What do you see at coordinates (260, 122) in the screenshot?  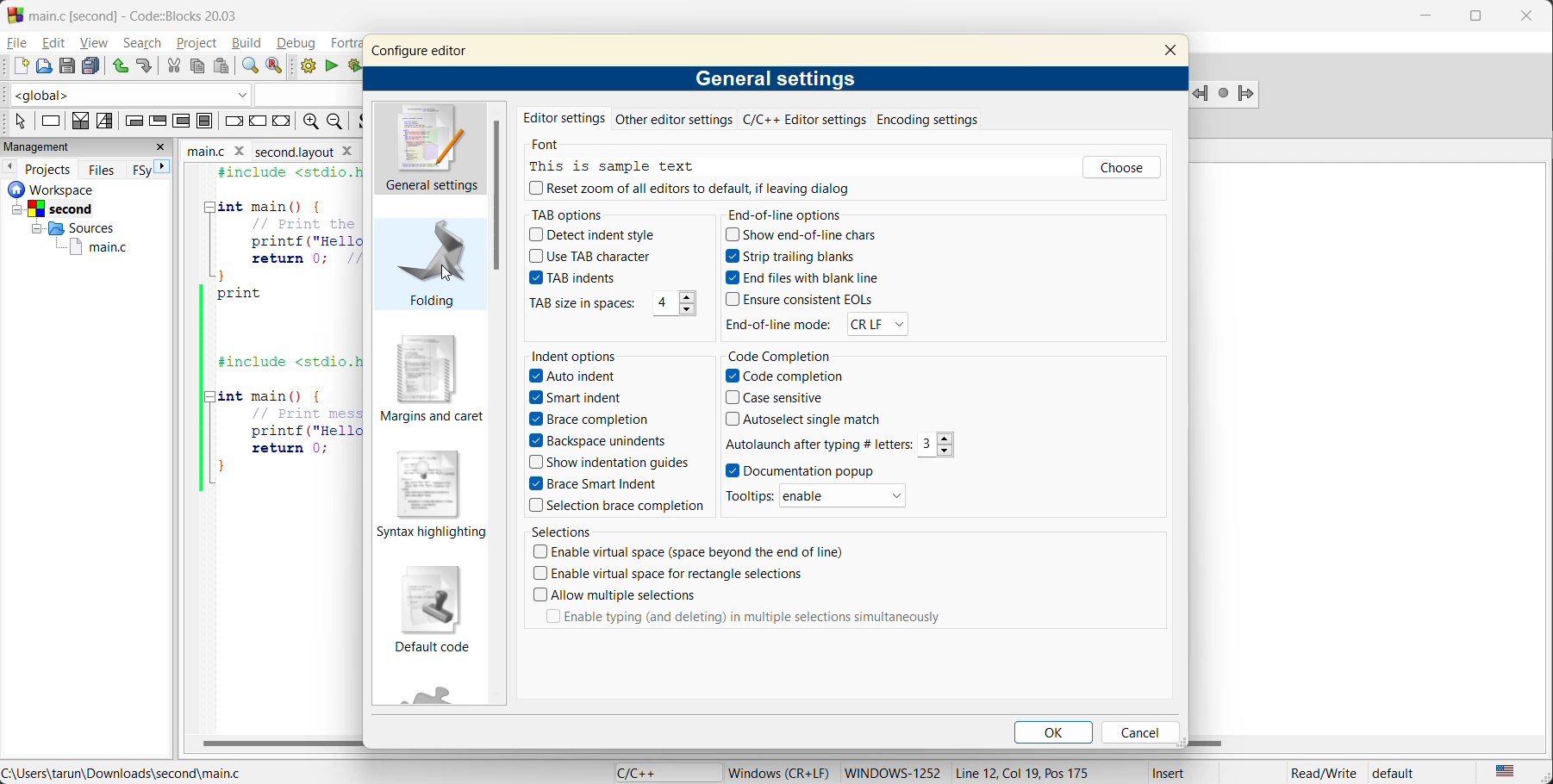 I see `continue instruction` at bounding box center [260, 122].